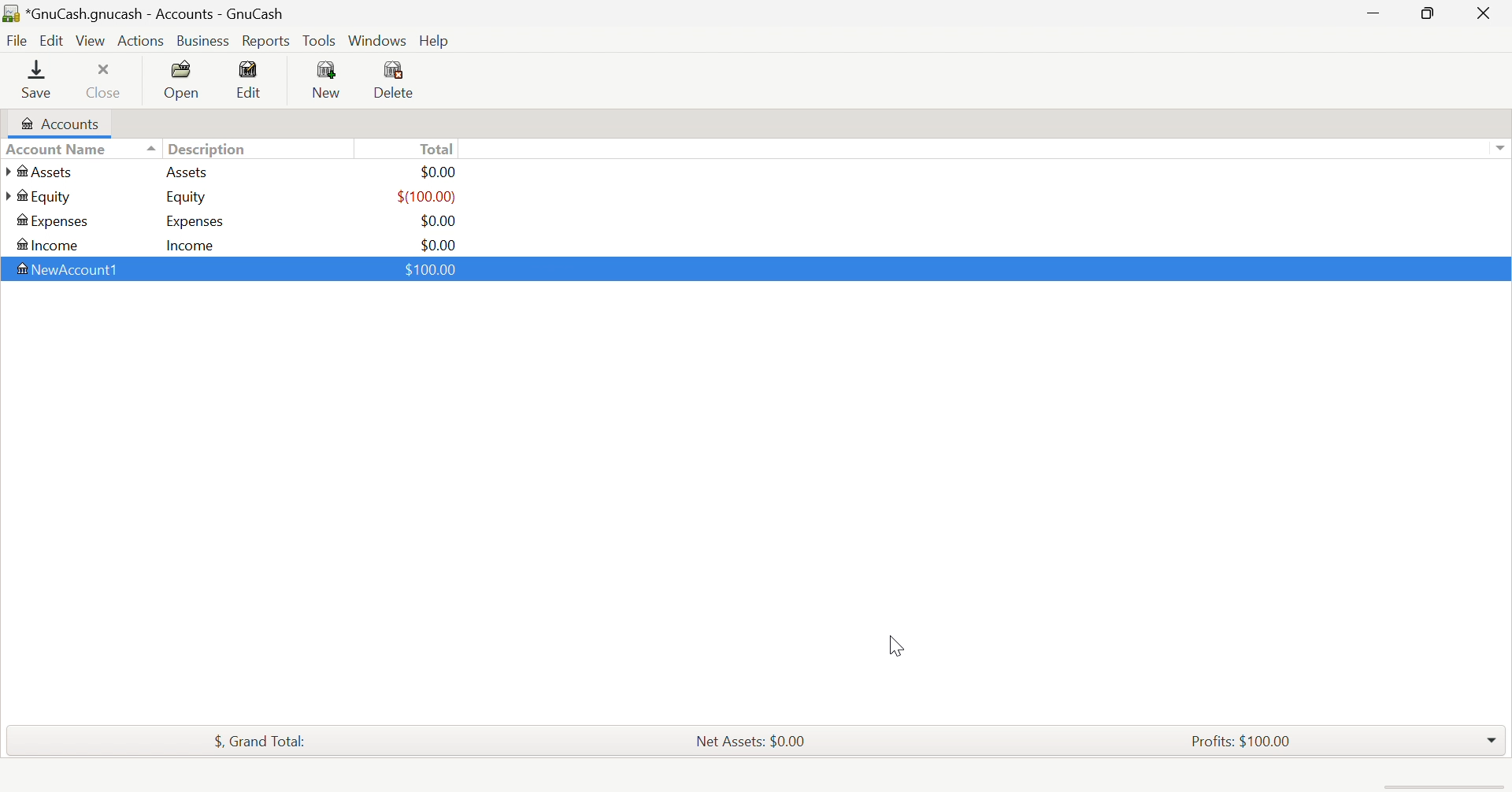 The height and width of the screenshot is (792, 1512). What do you see at coordinates (61, 122) in the screenshot?
I see `Accounts` at bounding box center [61, 122].